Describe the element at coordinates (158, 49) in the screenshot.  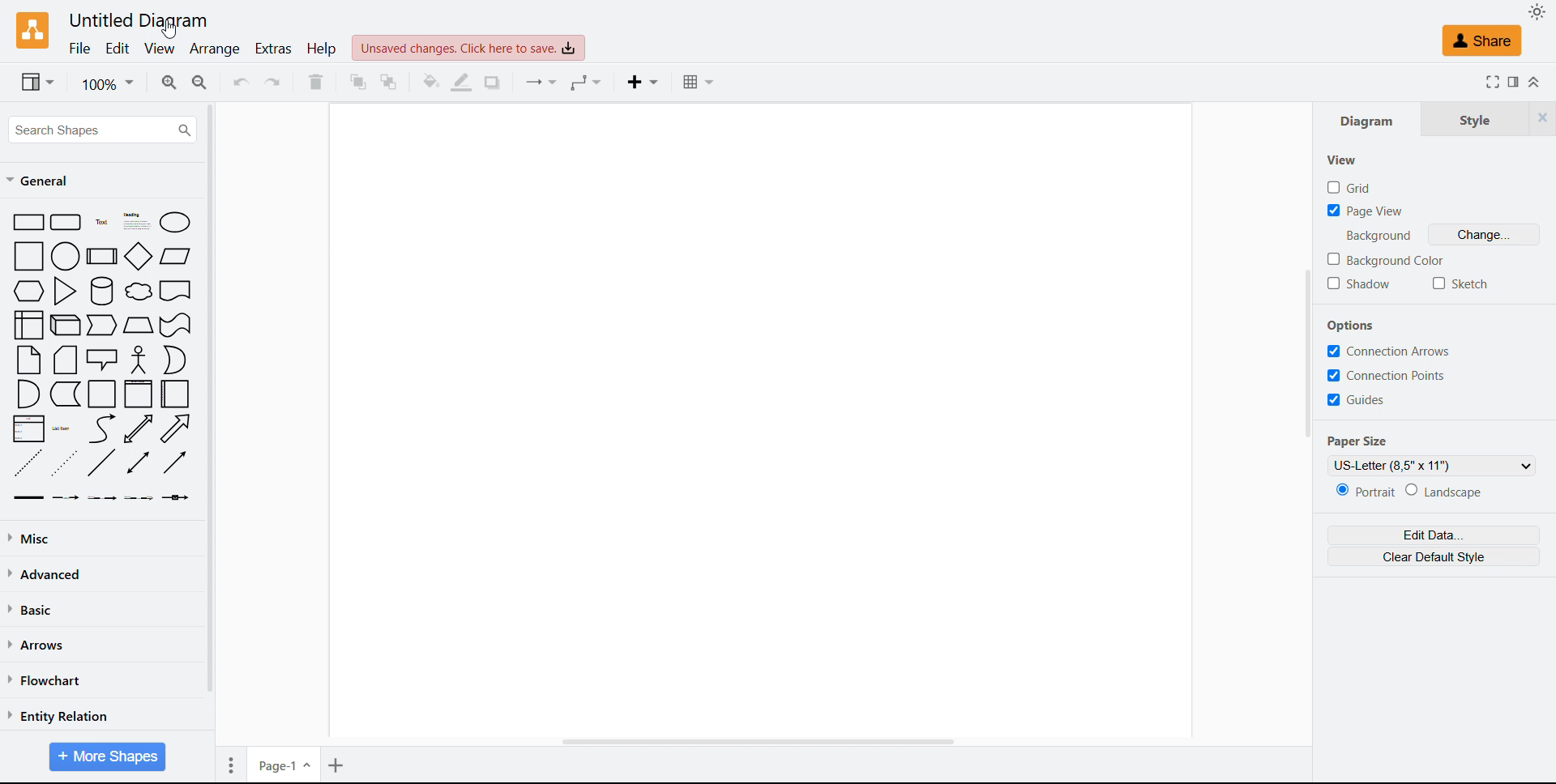
I see `view ` at that location.